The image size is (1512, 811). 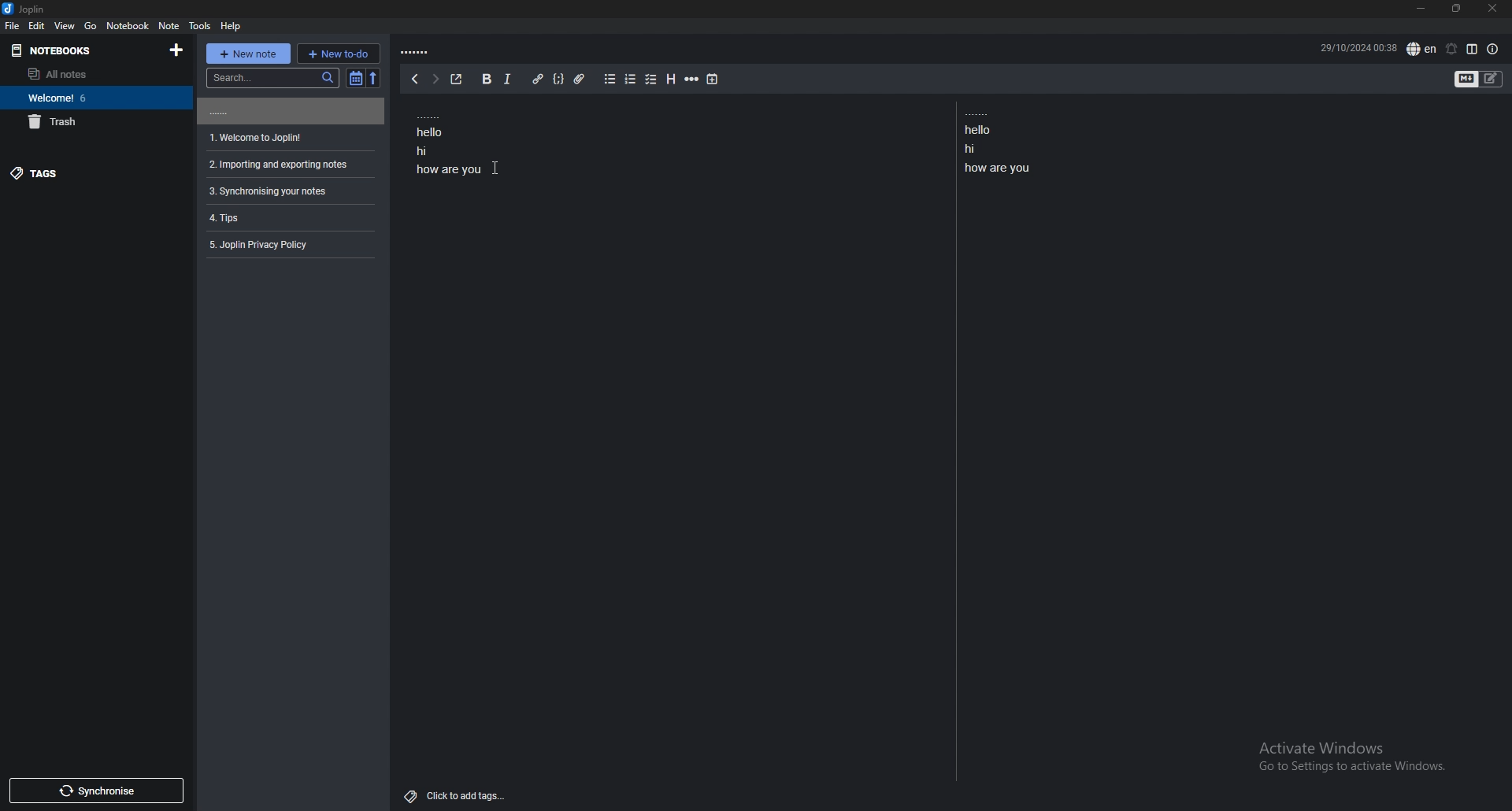 I want to click on help, so click(x=230, y=26).